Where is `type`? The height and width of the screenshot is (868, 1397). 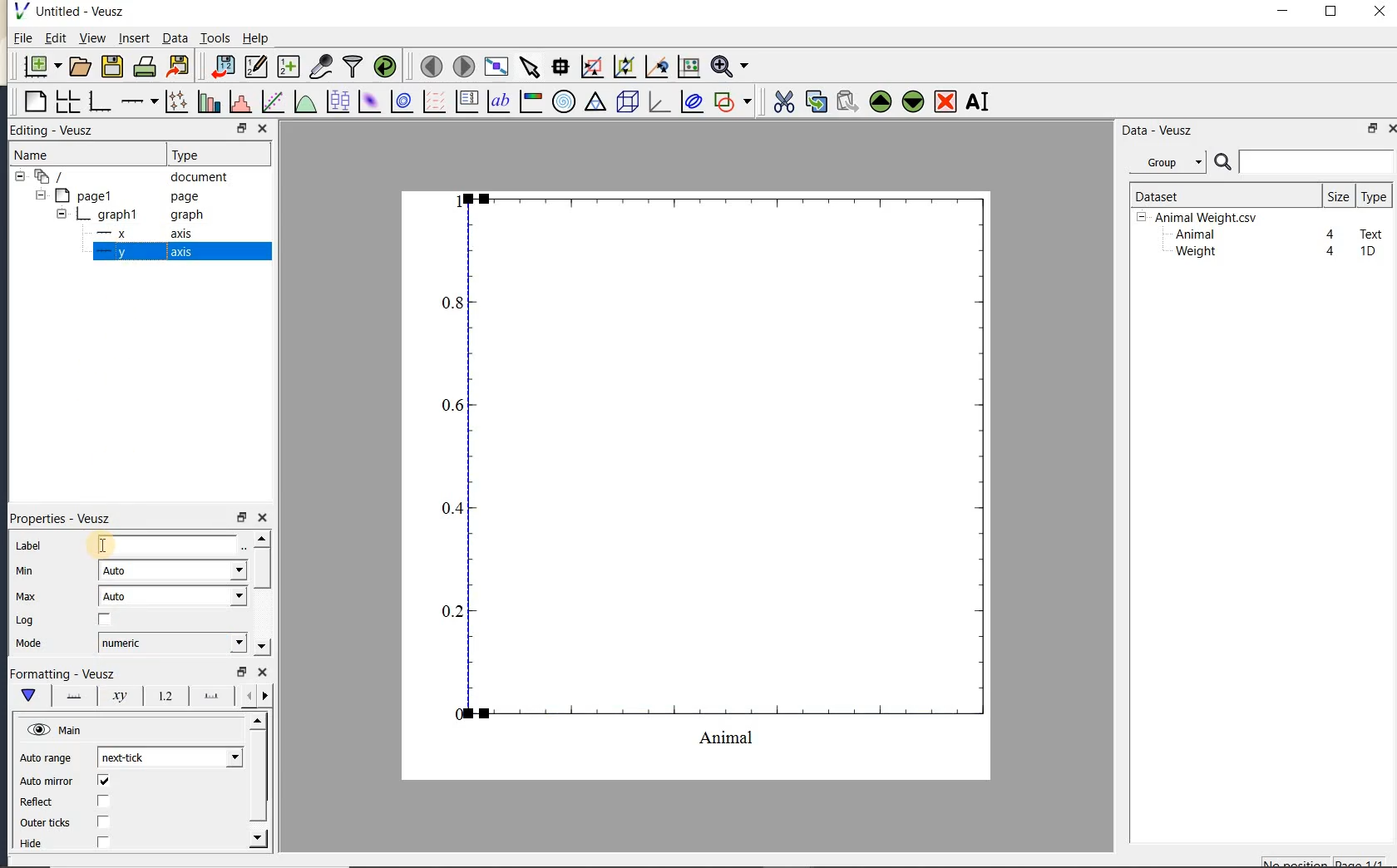 type is located at coordinates (1373, 196).